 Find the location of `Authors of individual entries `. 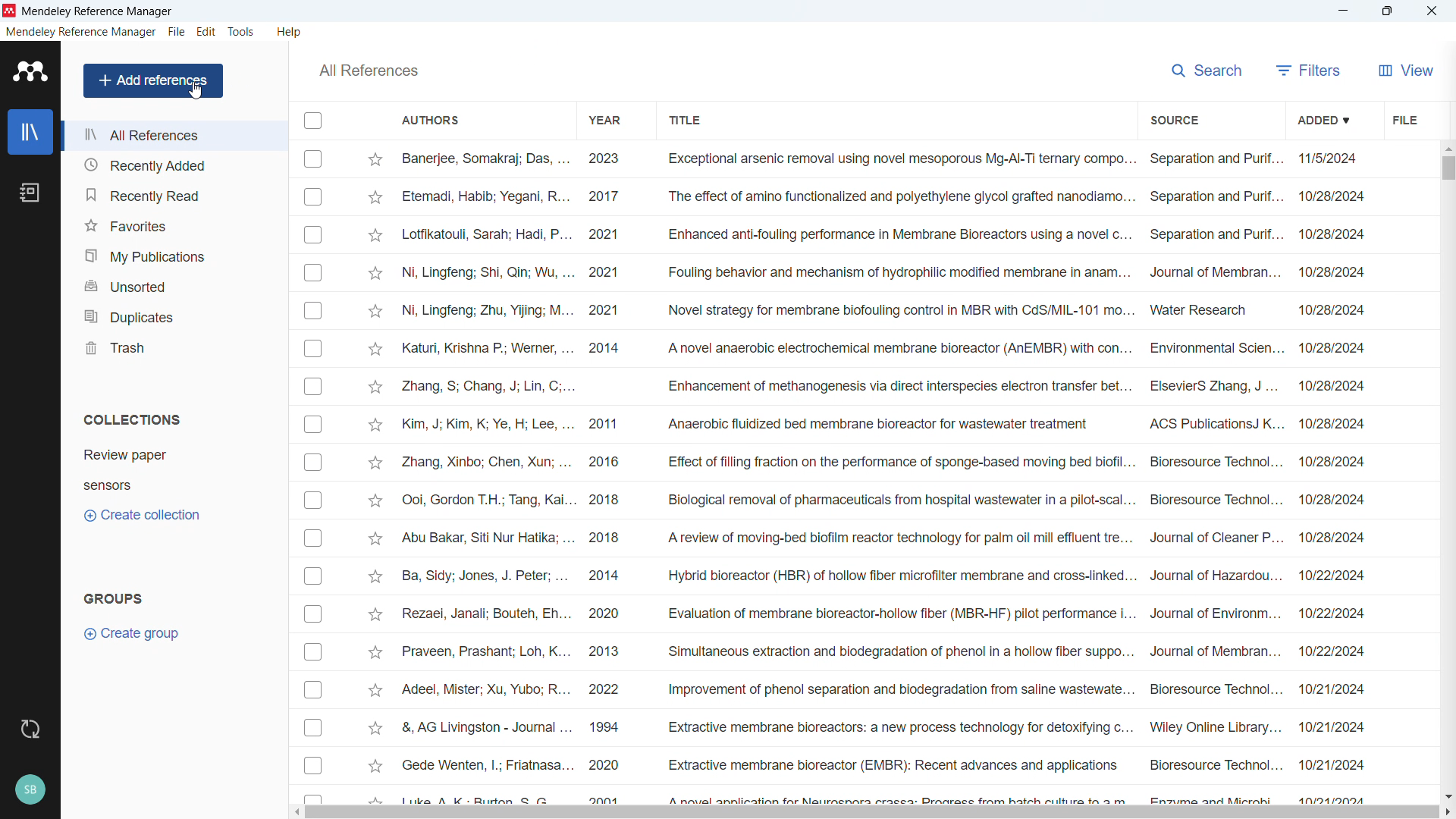

Authors of individual entries  is located at coordinates (484, 475).